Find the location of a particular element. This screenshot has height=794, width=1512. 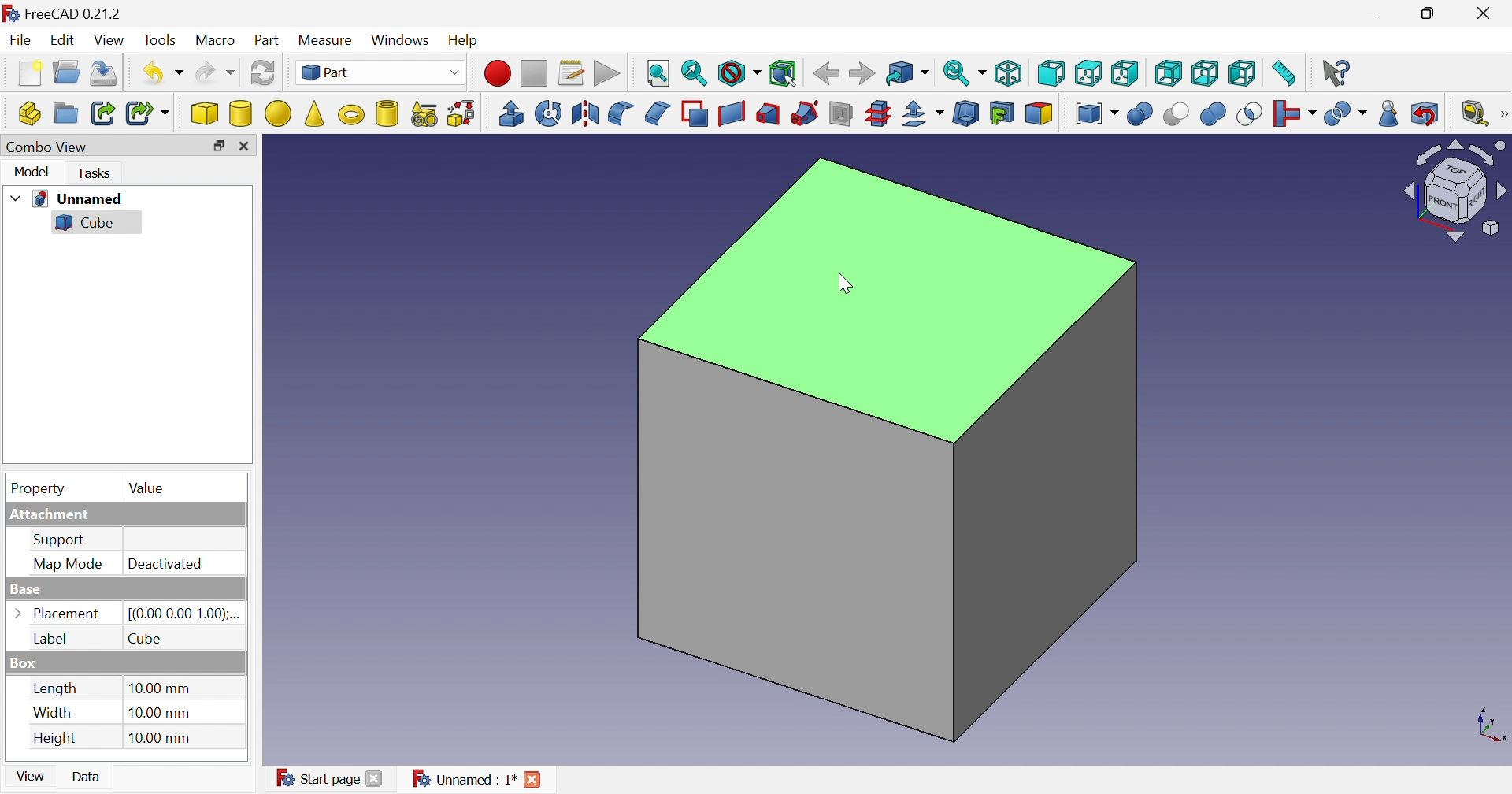

Label is located at coordinates (51, 637).